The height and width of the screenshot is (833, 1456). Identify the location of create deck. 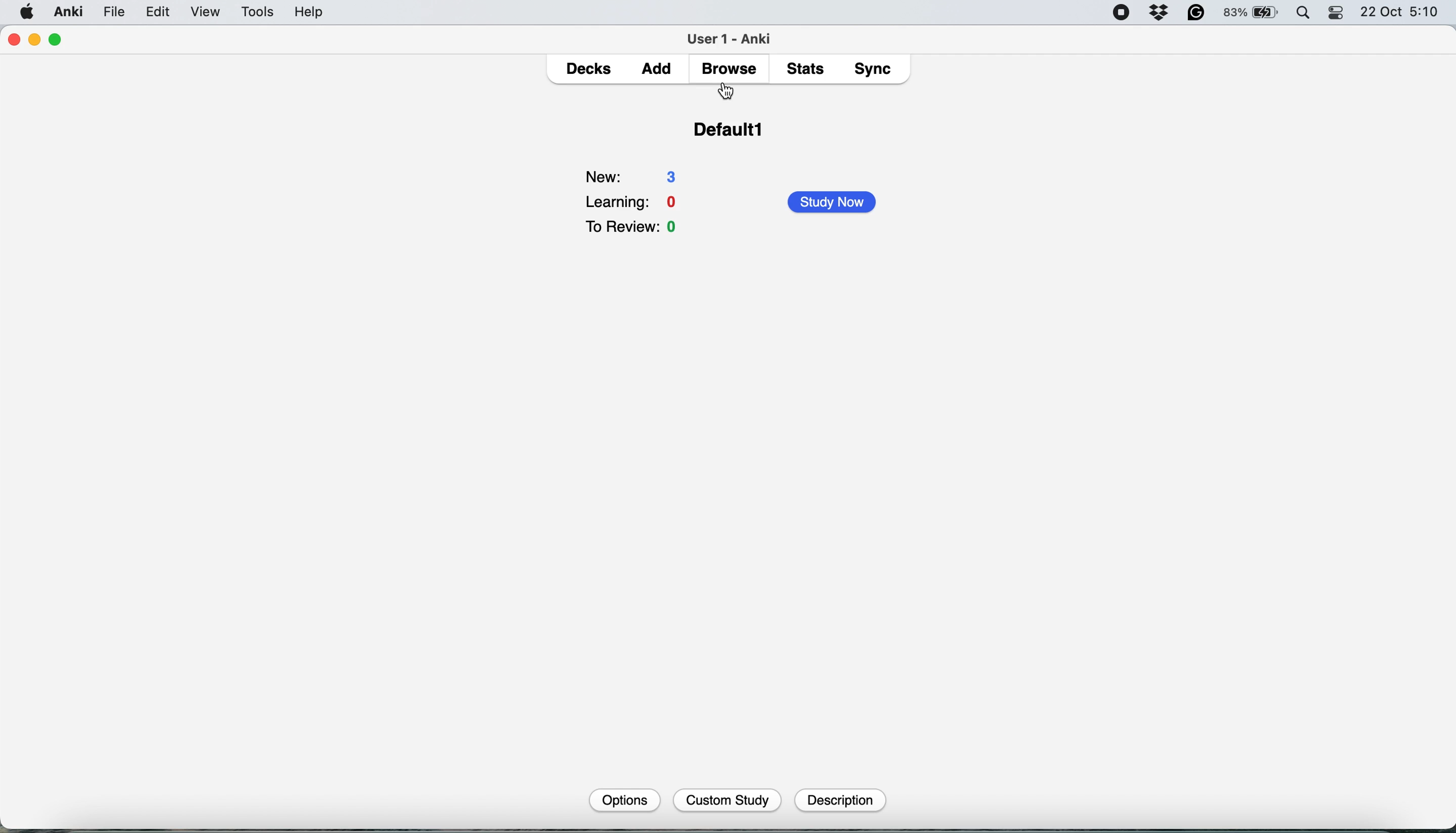
(742, 799).